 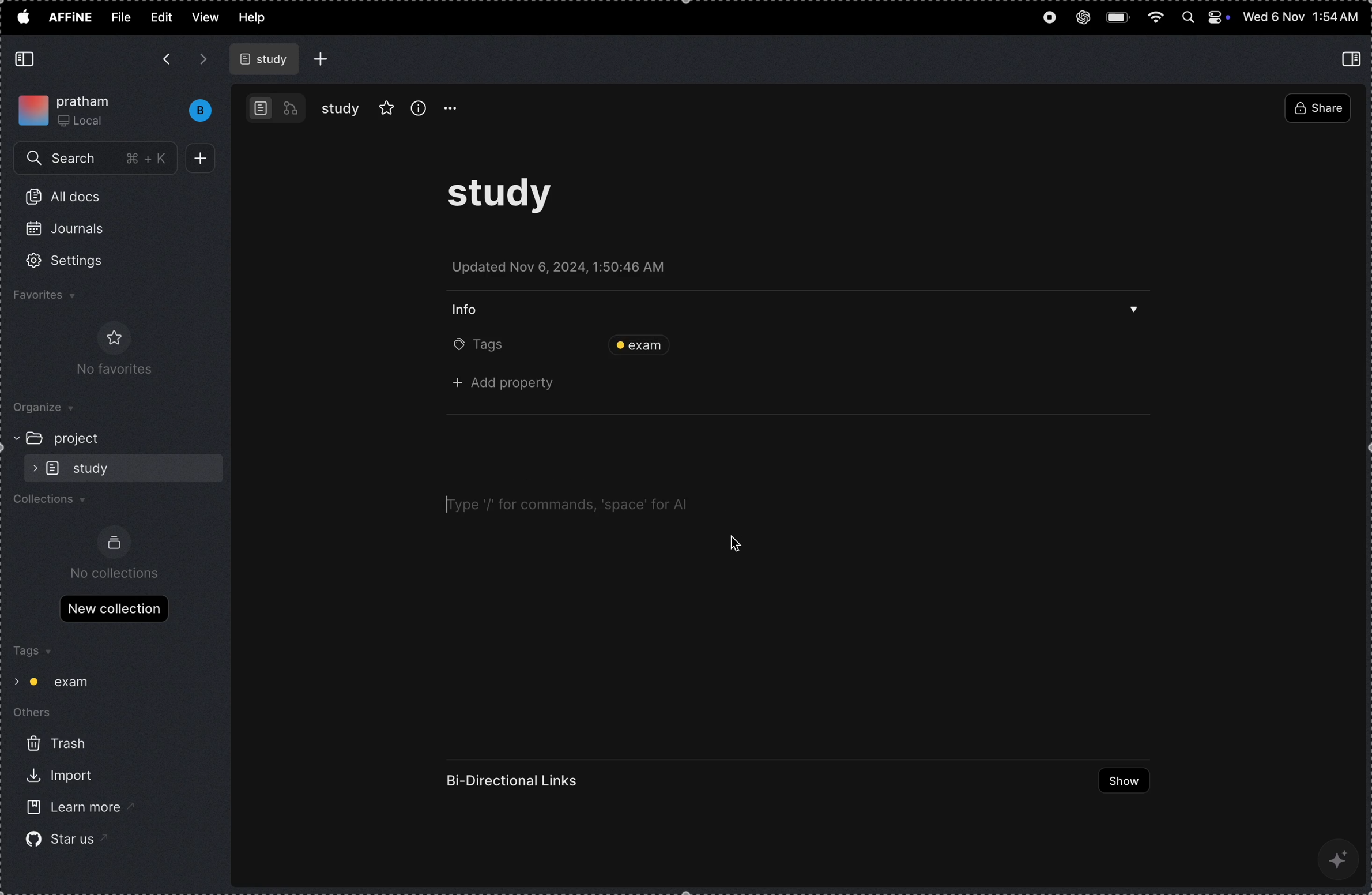 What do you see at coordinates (111, 337) in the screenshot?
I see `favorite logo` at bounding box center [111, 337].